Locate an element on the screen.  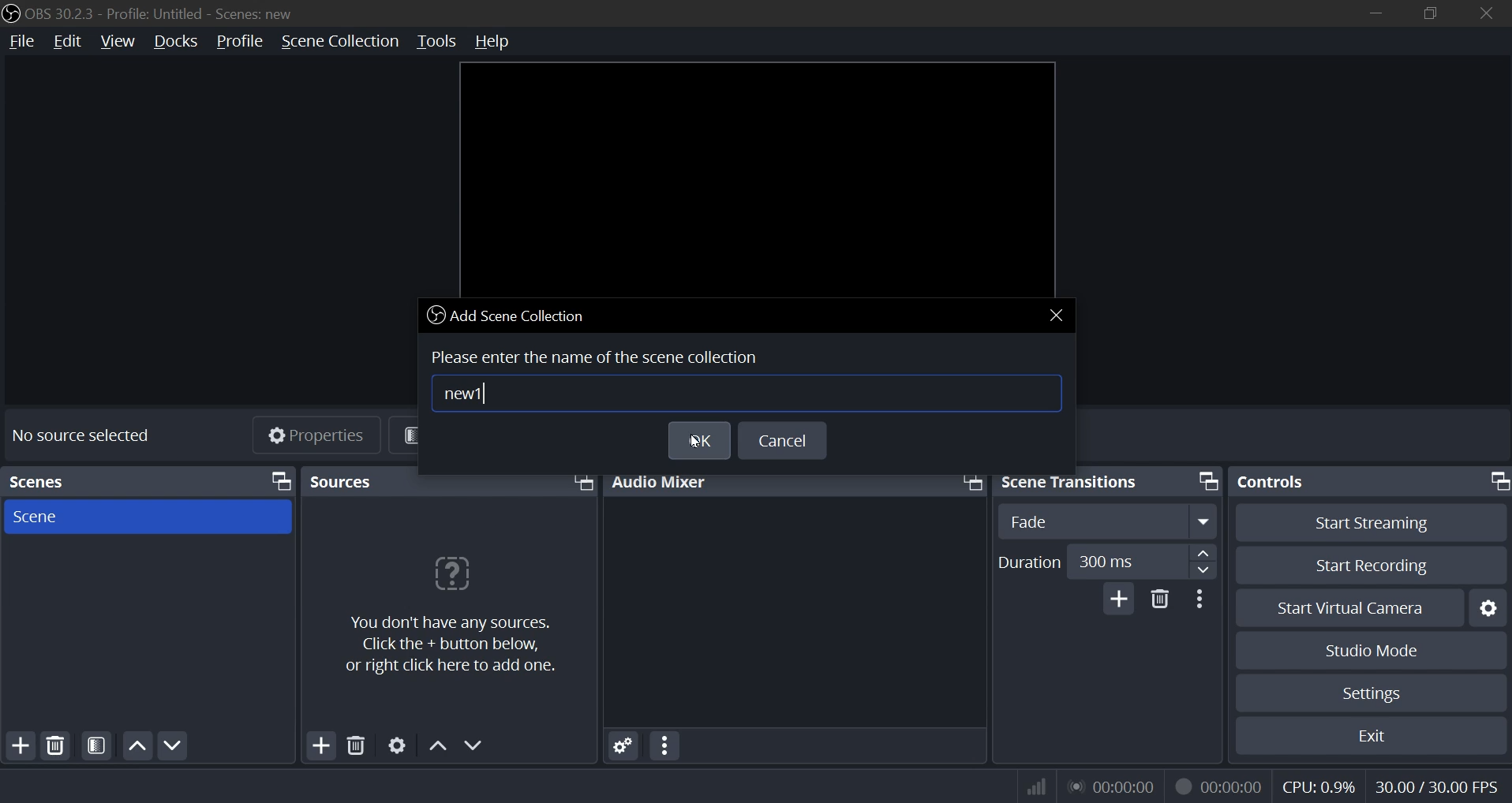
start virtual camera is located at coordinates (1350, 607).